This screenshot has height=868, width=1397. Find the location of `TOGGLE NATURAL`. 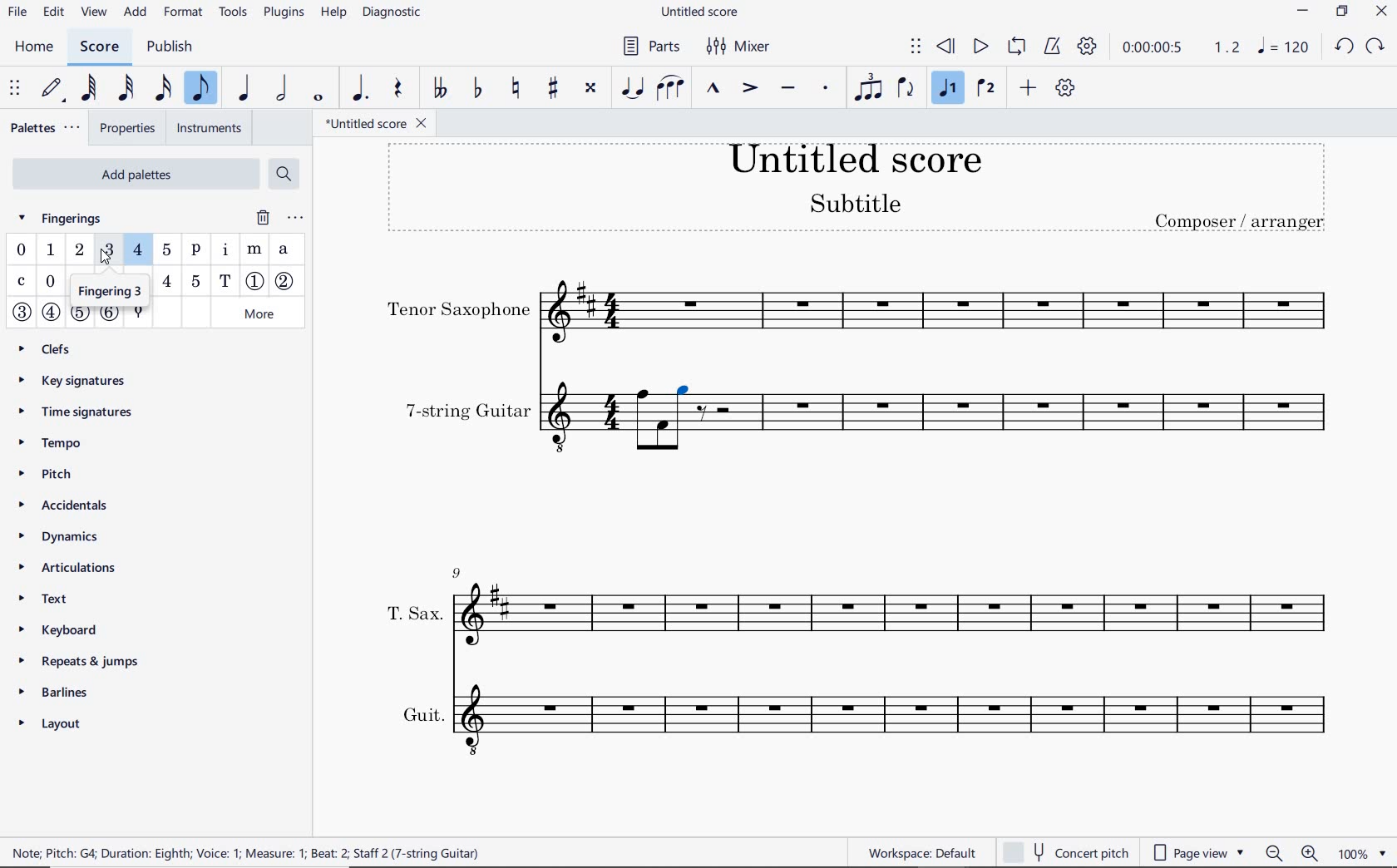

TOGGLE NATURAL is located at coordinates (515, 88).